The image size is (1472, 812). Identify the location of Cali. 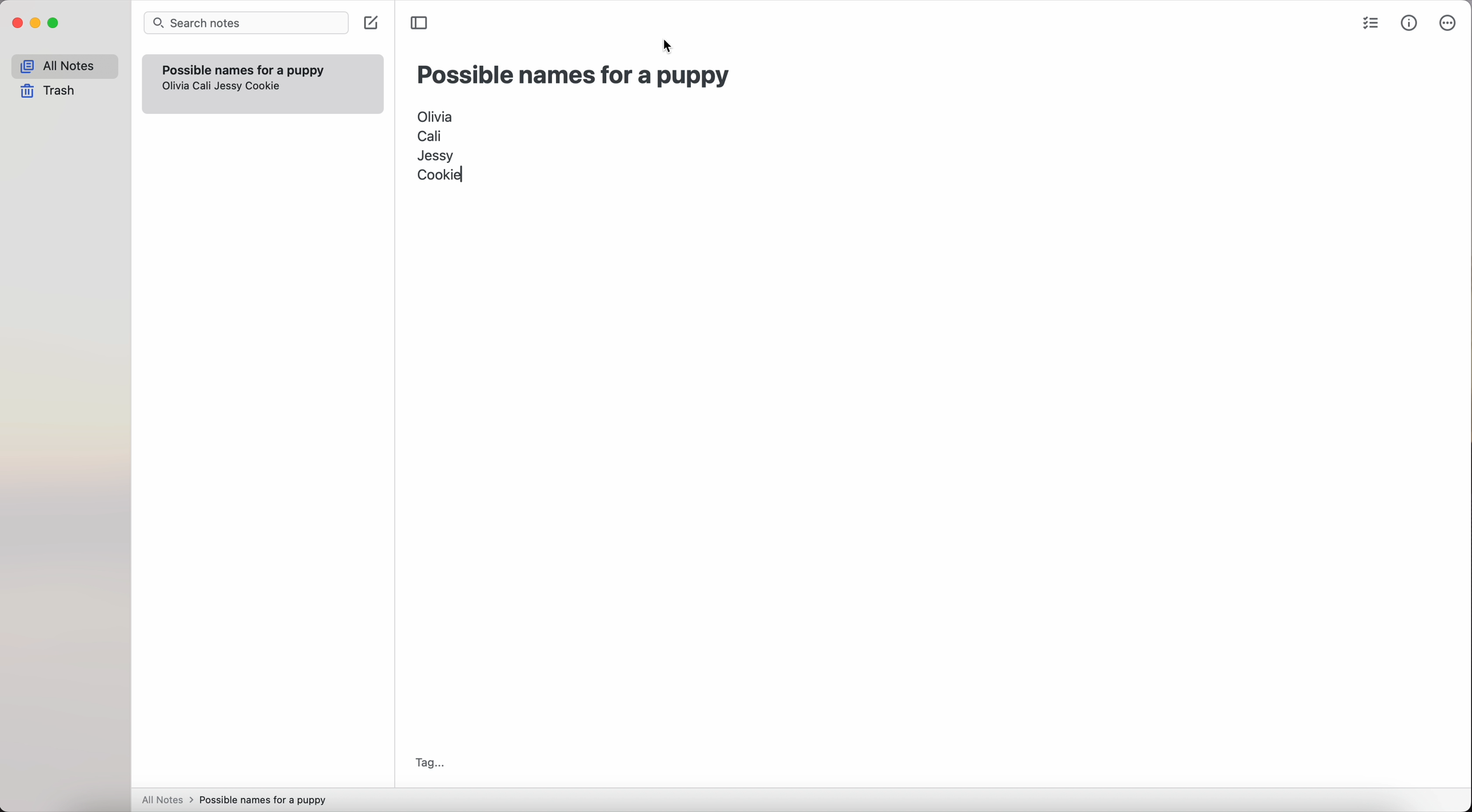
(206, 87).